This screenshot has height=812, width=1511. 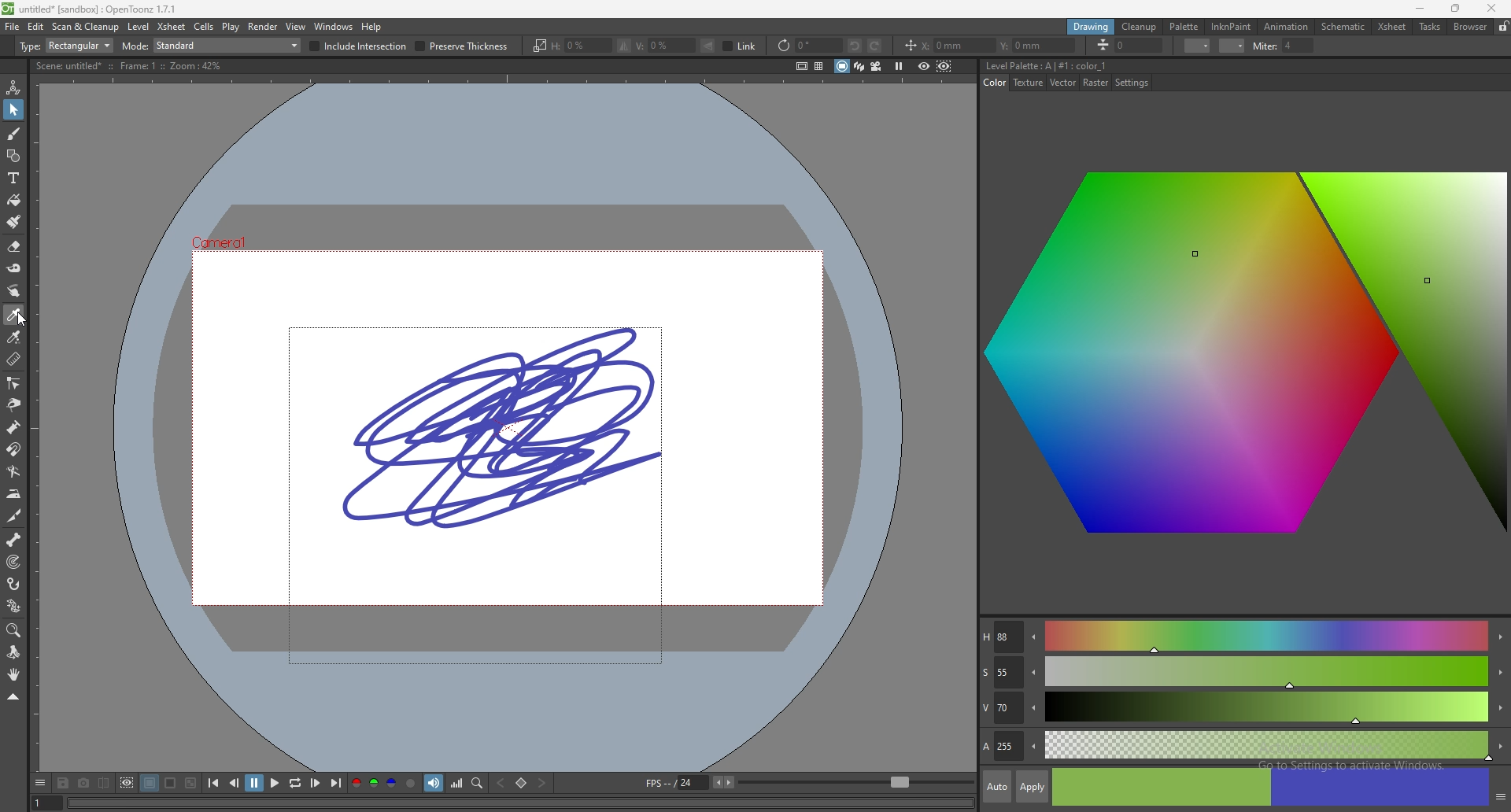 What do you see at coordinates (14, 631) in the screenshot?
I see `zoom tool` at bounding box center [14, 631].